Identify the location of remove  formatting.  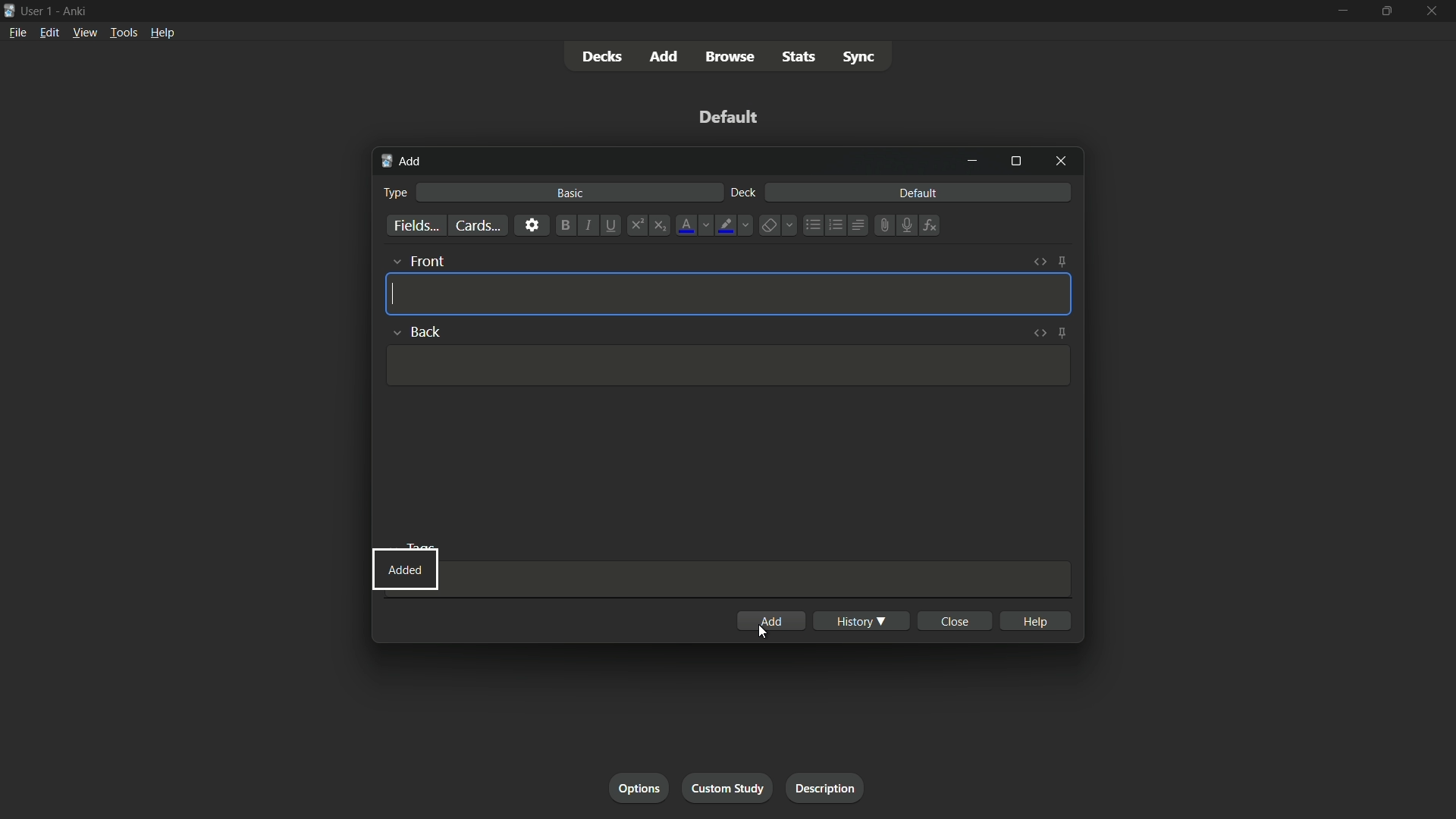
(768, 226).